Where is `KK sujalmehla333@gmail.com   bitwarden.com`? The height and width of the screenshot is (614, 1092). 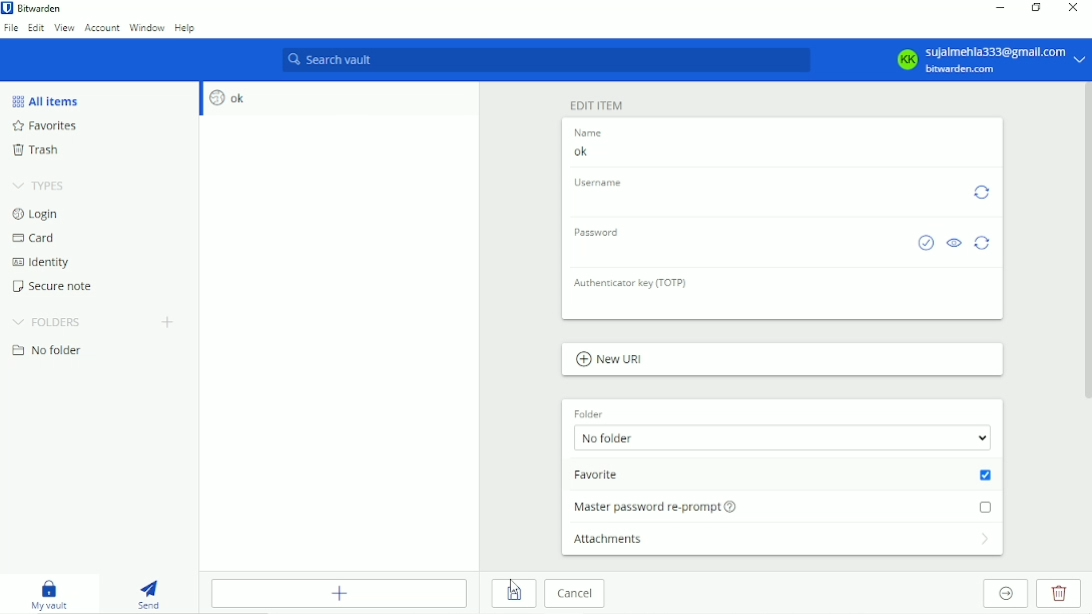 KK sujalmehla333@gmail.com   bitwarden.com is located at coordinates (988, 59).